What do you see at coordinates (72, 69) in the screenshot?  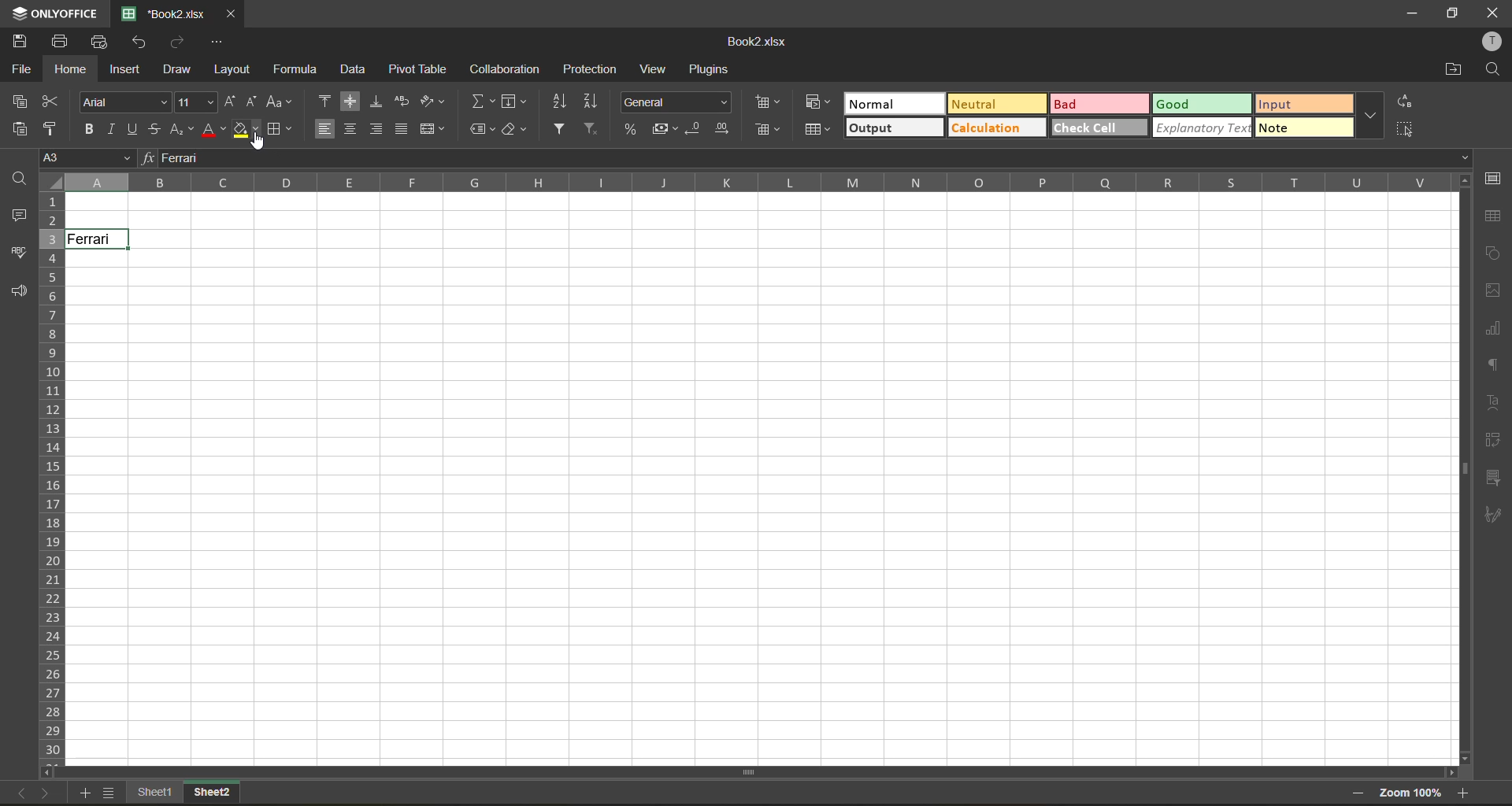 I see `home` at bounding box center [72, 69].